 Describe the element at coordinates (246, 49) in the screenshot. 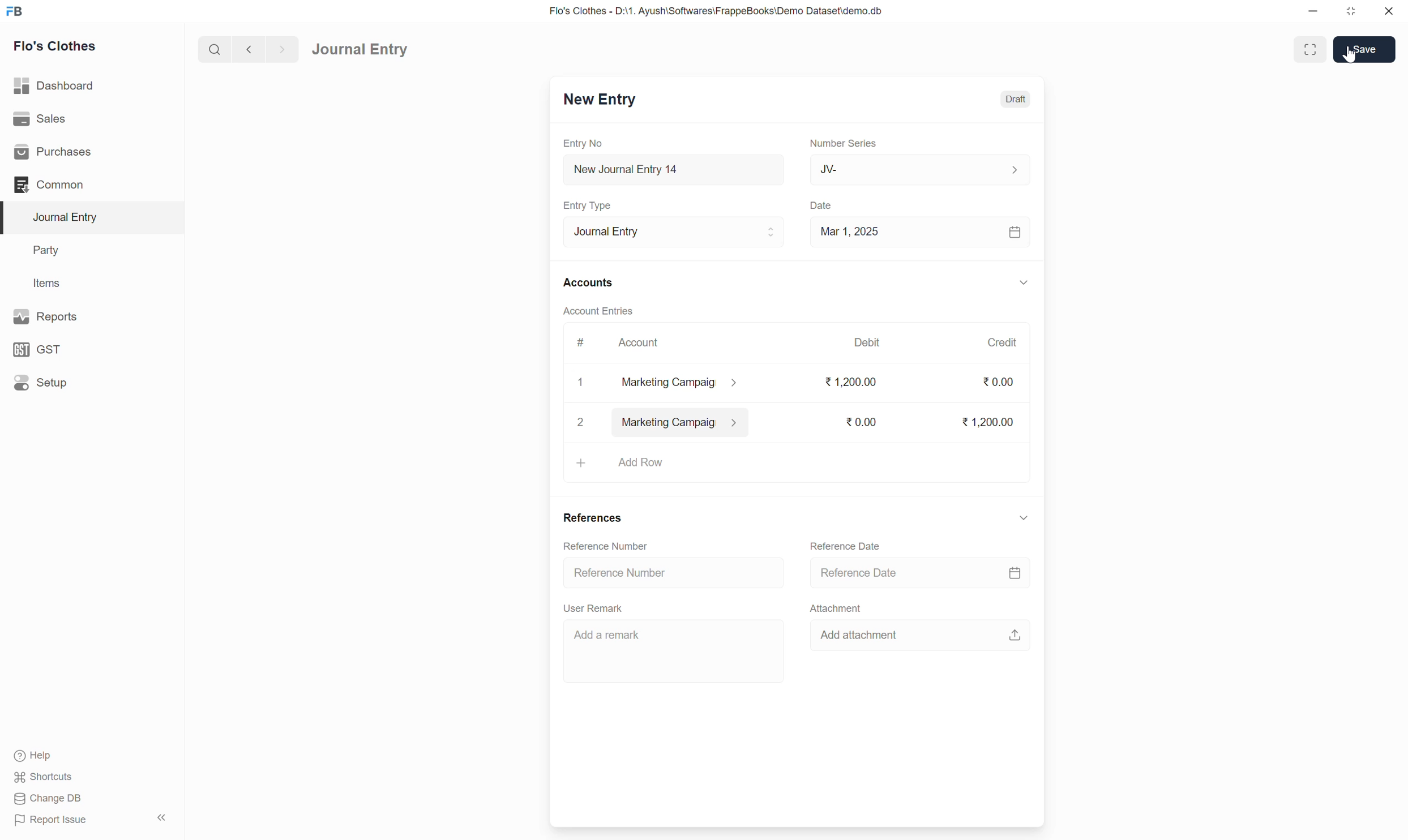

I see `back` at that location.